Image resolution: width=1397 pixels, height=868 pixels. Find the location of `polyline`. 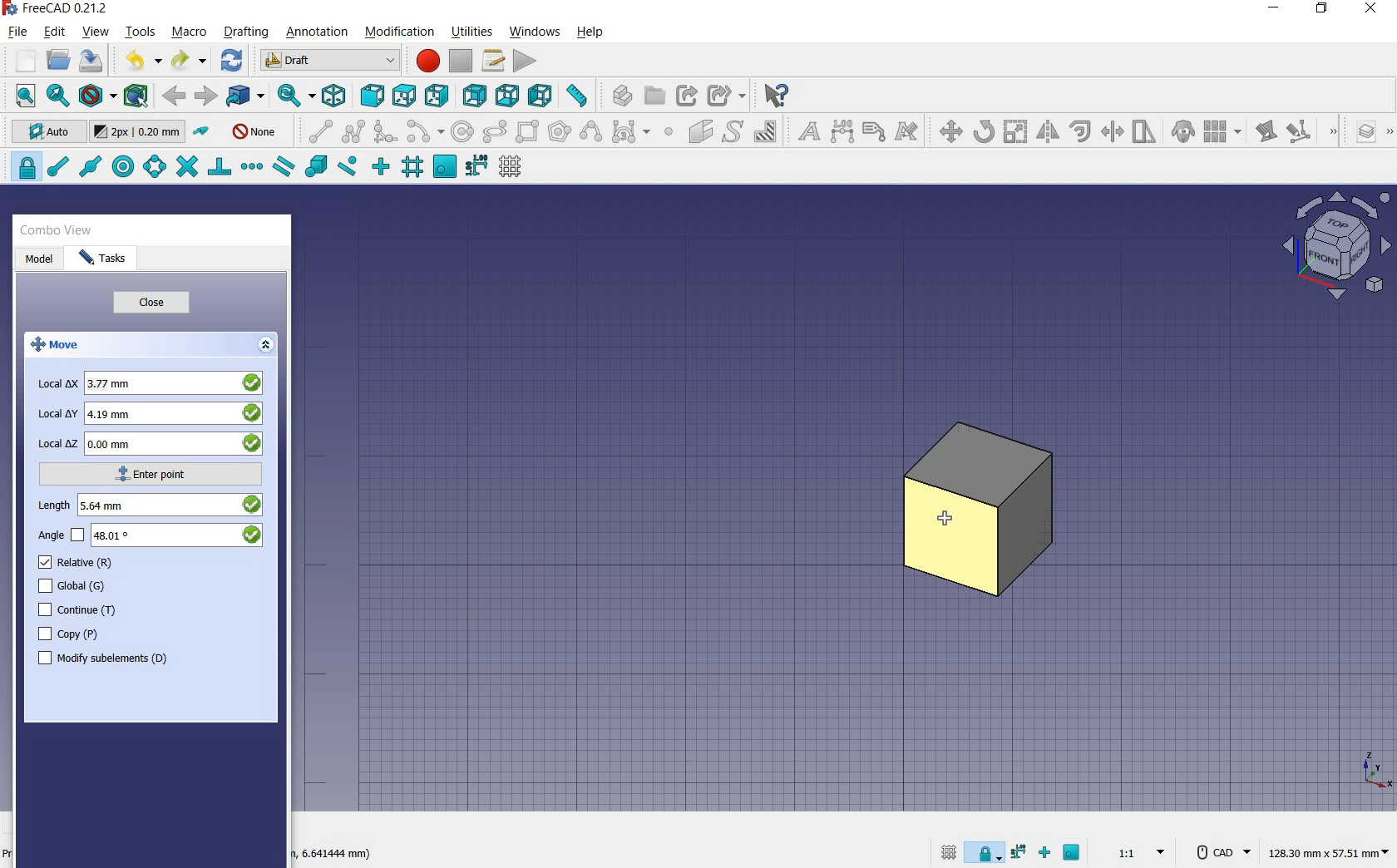

polyline is located at coordinates (354, 132).